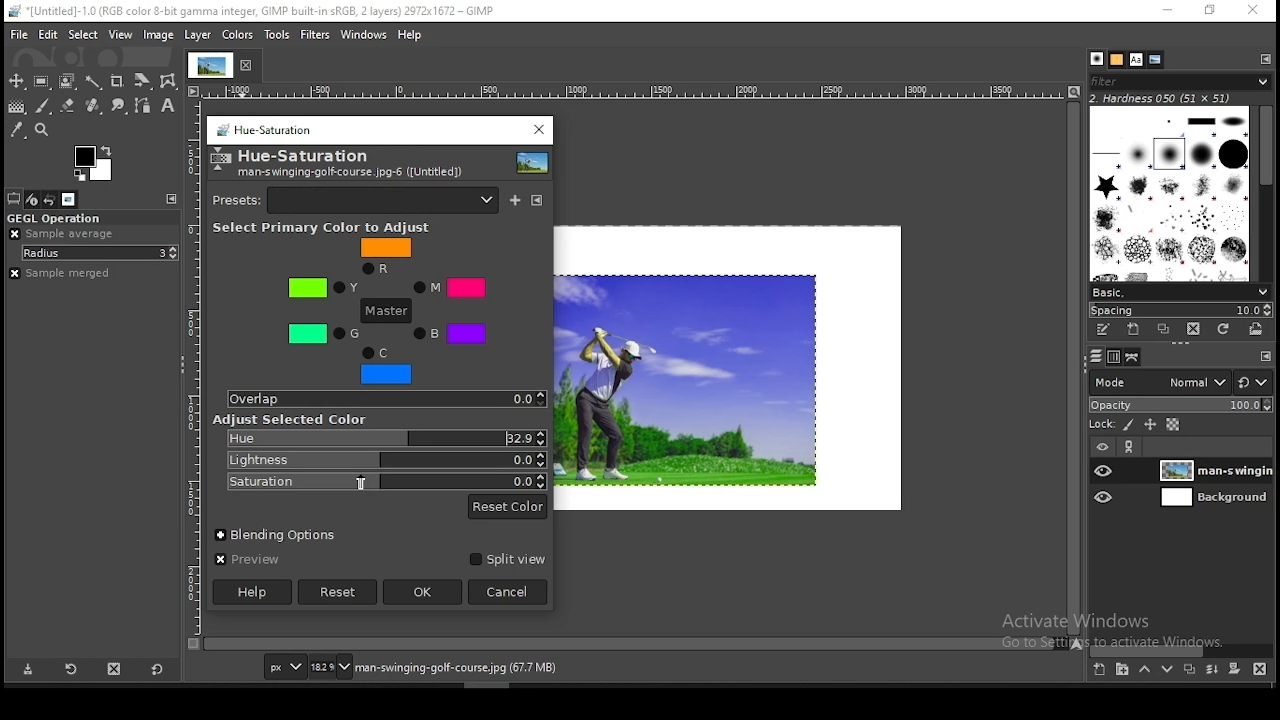  I want to click on restore tool preset, so click(72, 670).